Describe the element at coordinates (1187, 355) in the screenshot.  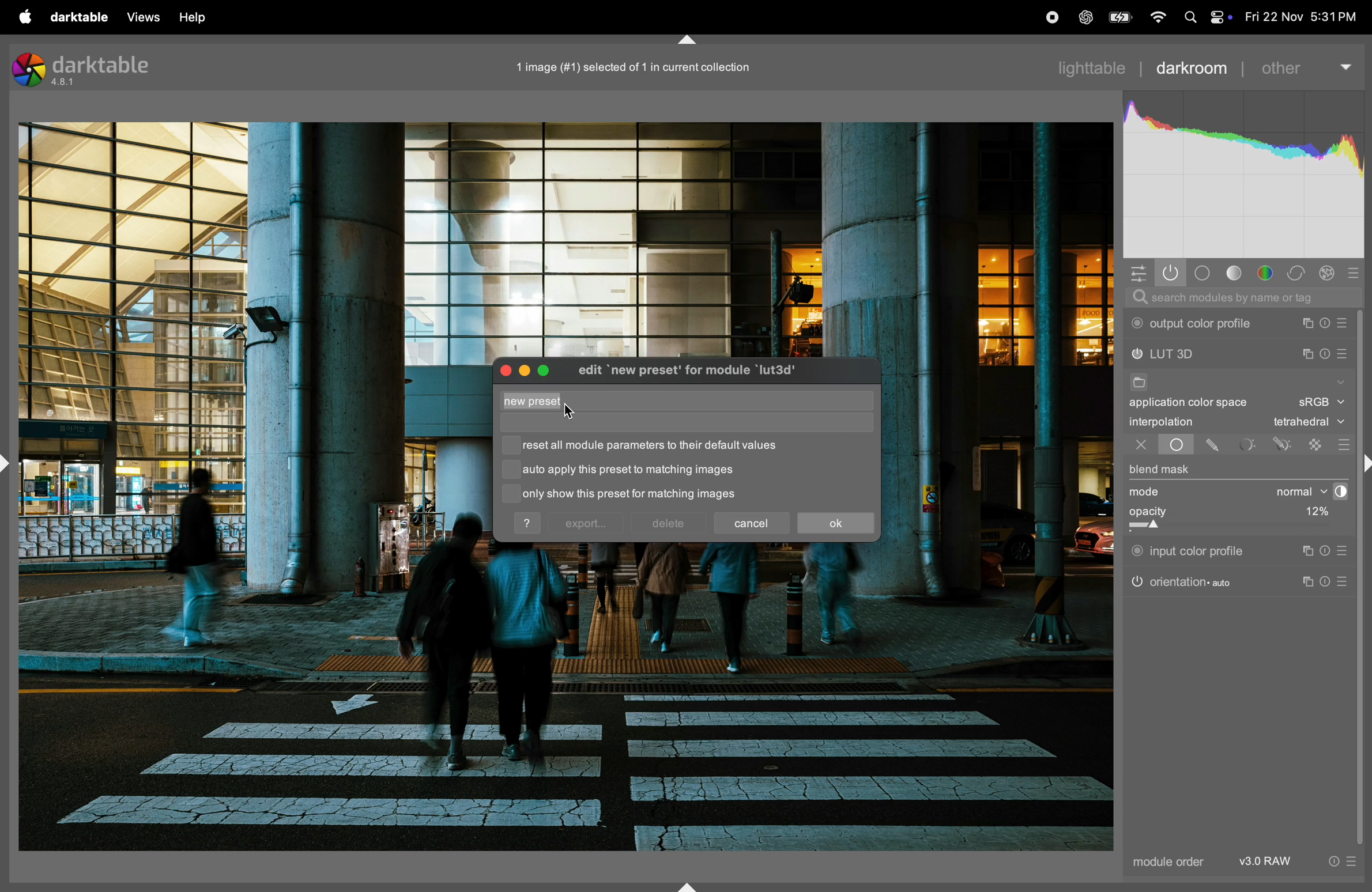
I see `lut 3d` at that location.